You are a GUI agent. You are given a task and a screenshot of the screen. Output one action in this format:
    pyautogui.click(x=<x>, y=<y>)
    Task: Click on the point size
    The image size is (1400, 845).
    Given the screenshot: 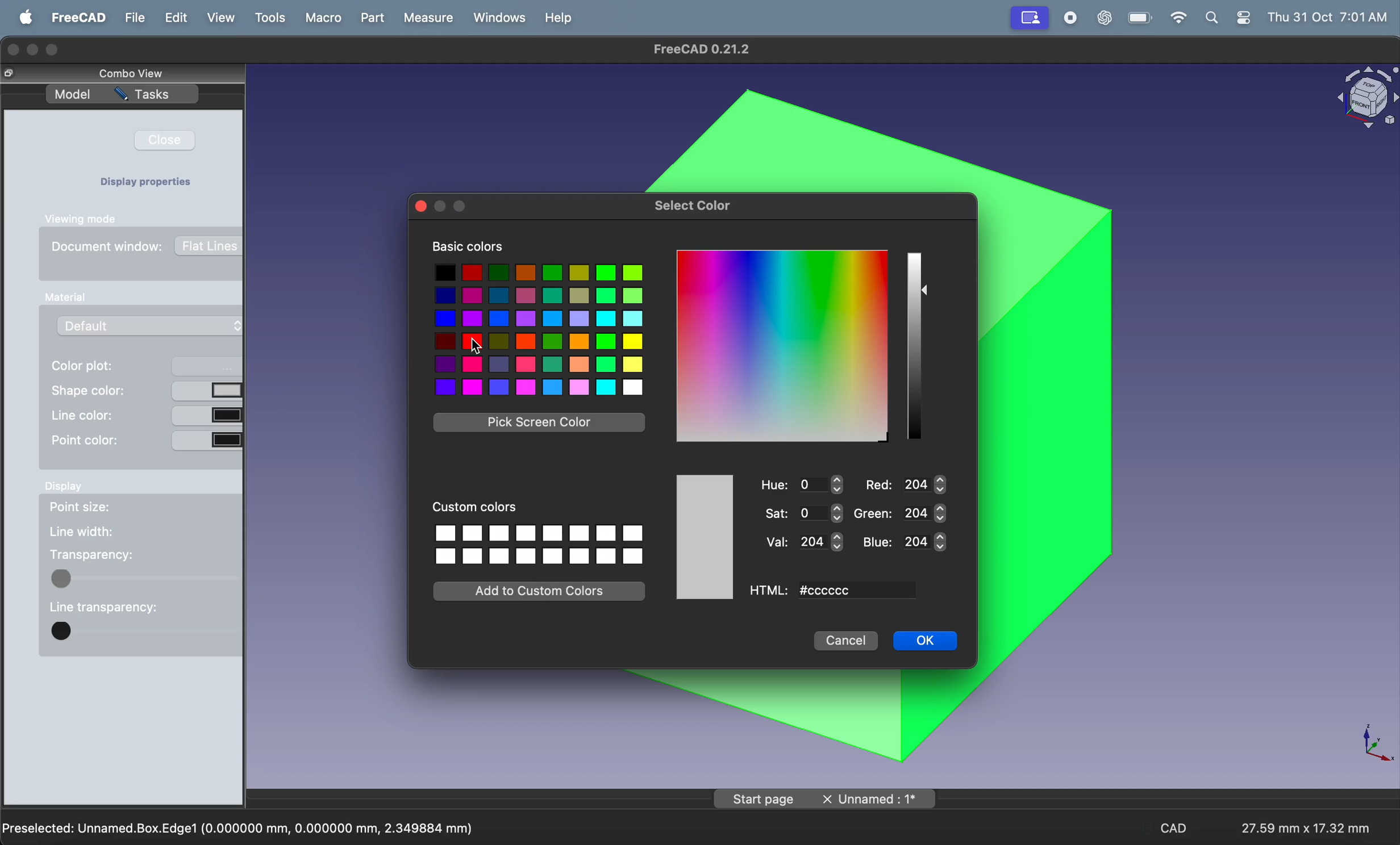 What is the action you would take?
    pyautogui.click(x=97, y=509)
    